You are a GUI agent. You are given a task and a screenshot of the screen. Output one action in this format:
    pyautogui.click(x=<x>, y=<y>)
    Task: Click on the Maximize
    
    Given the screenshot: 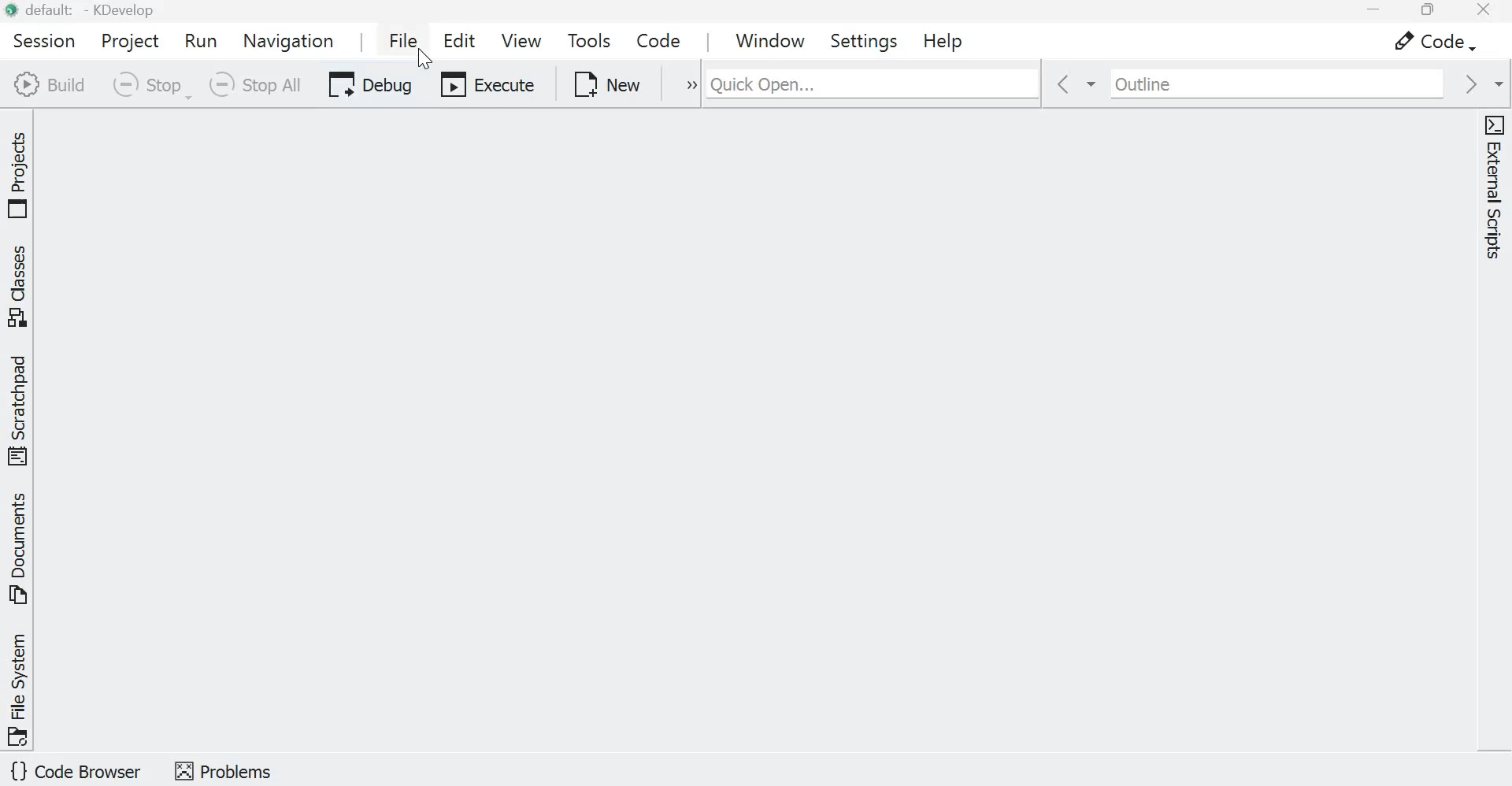 What is the action you would take?
    pyautogui.click(x=1425, y=11)
    